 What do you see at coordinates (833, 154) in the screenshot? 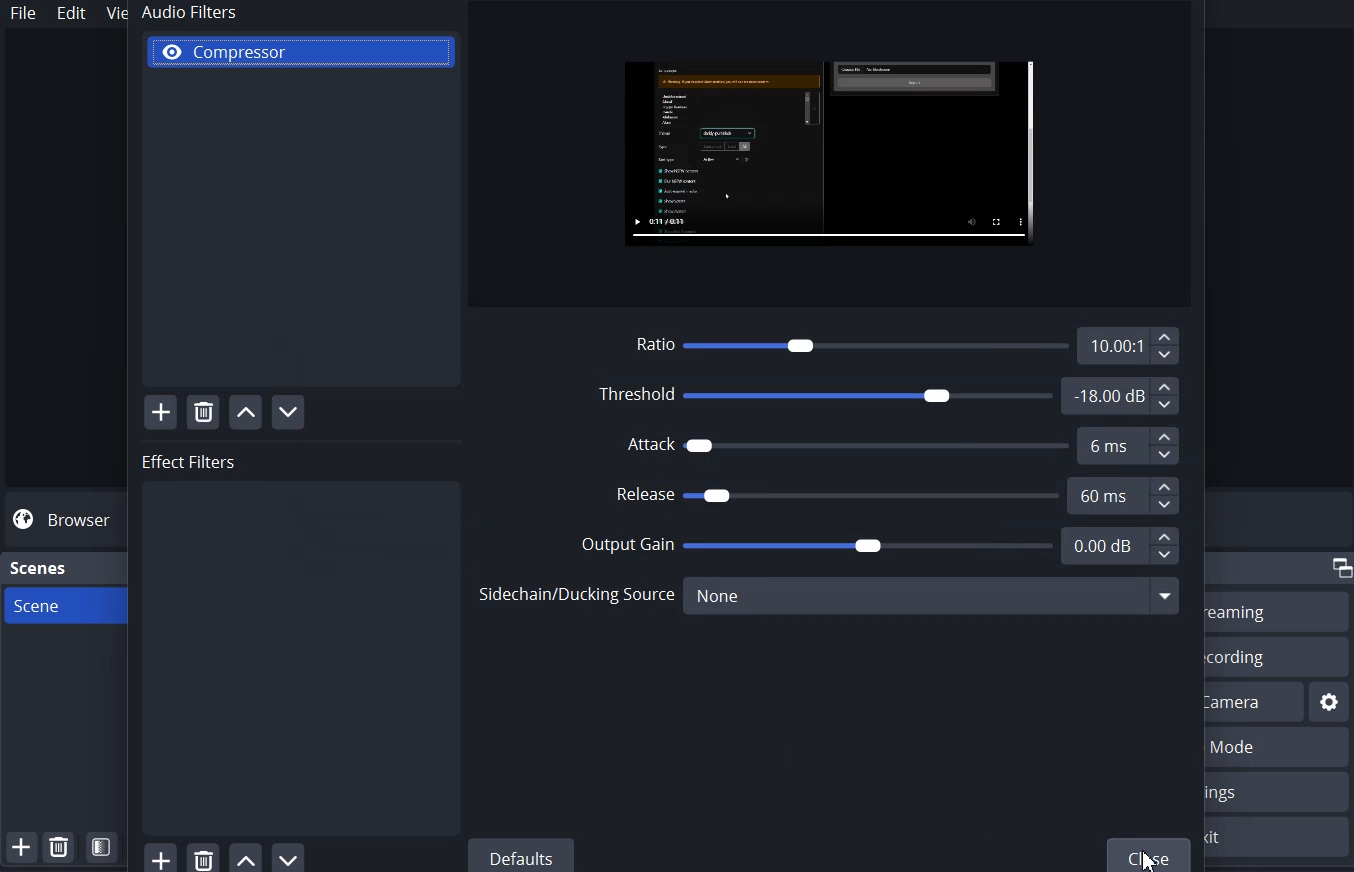
I see `File Preview` at bounding box center [833, 154].